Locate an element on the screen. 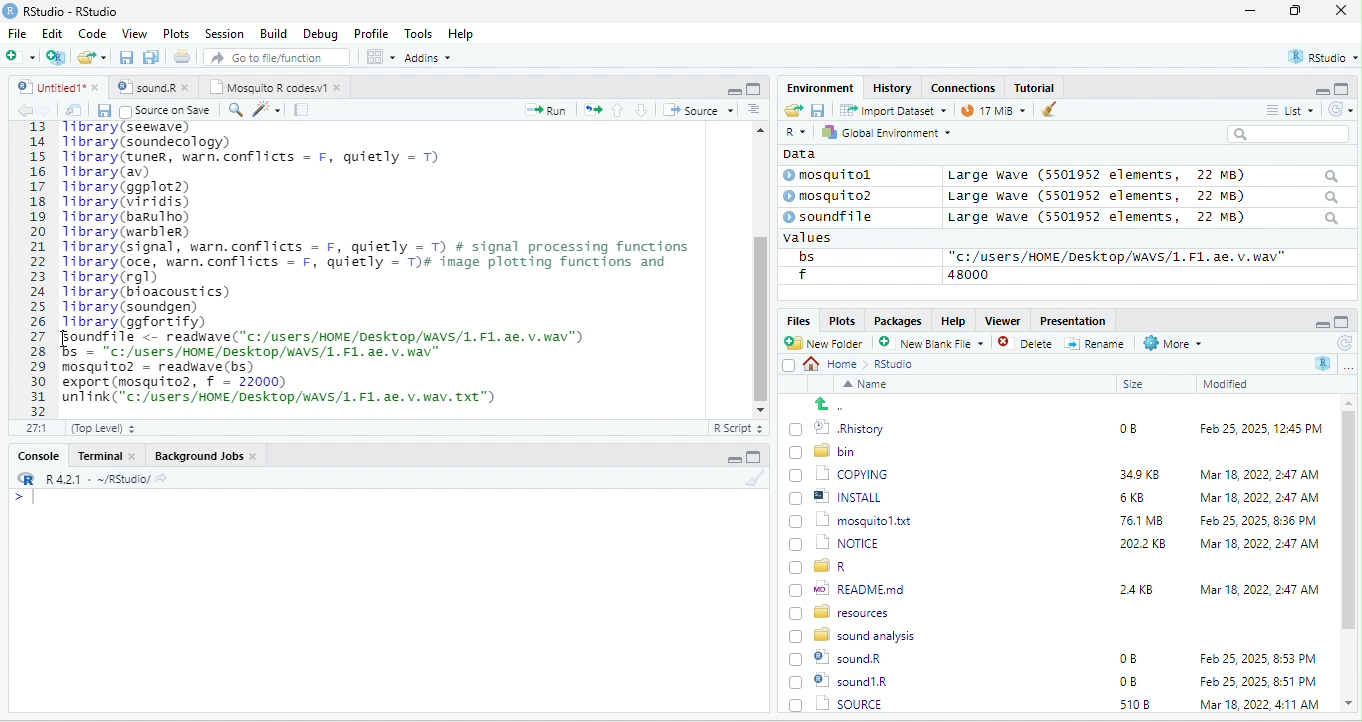 Image resolution: width=1362 pixels, height=722 pixels. R is located at coordinates (1324, 363).